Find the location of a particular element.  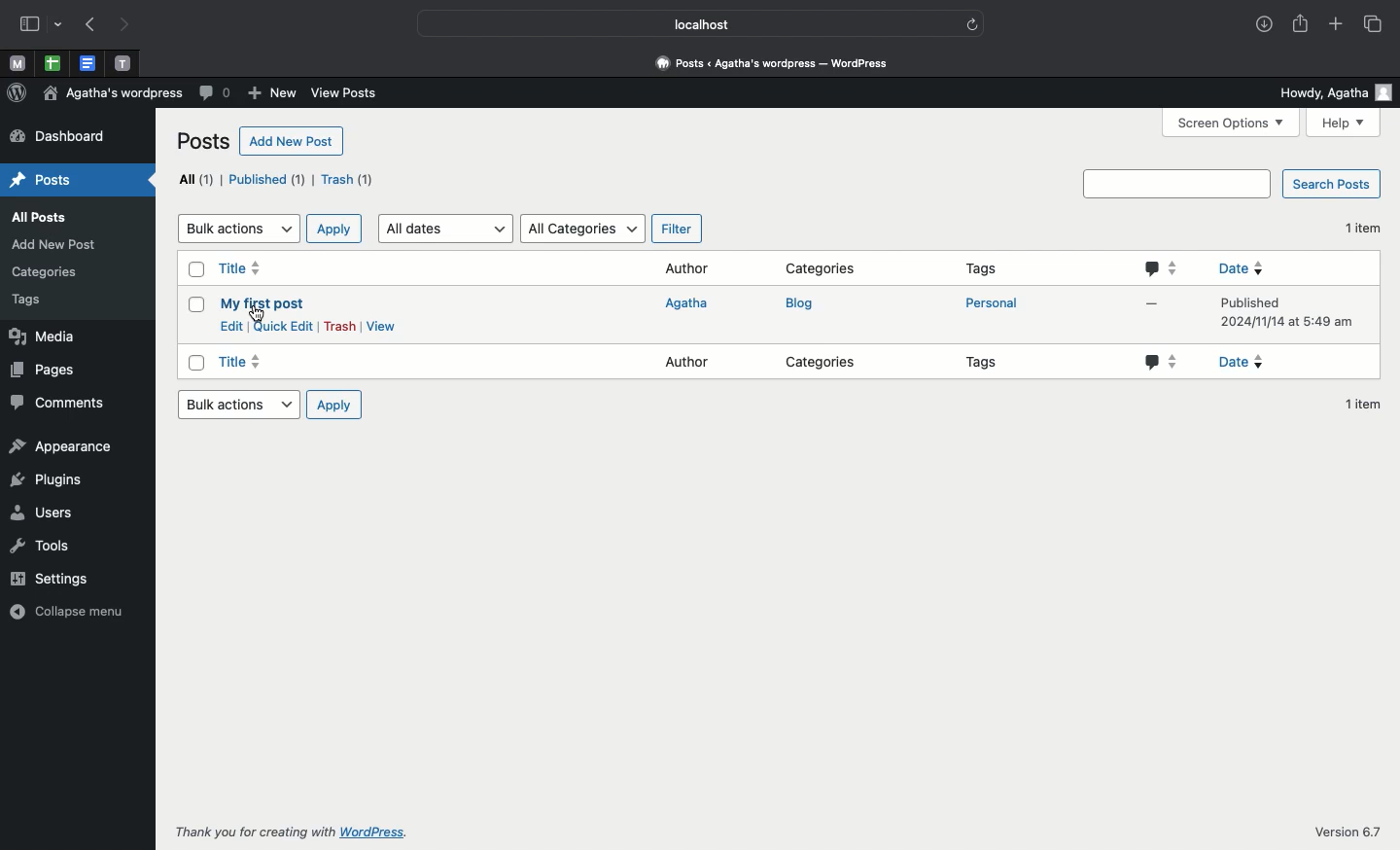

Tags is located at coordinates (986, 366).